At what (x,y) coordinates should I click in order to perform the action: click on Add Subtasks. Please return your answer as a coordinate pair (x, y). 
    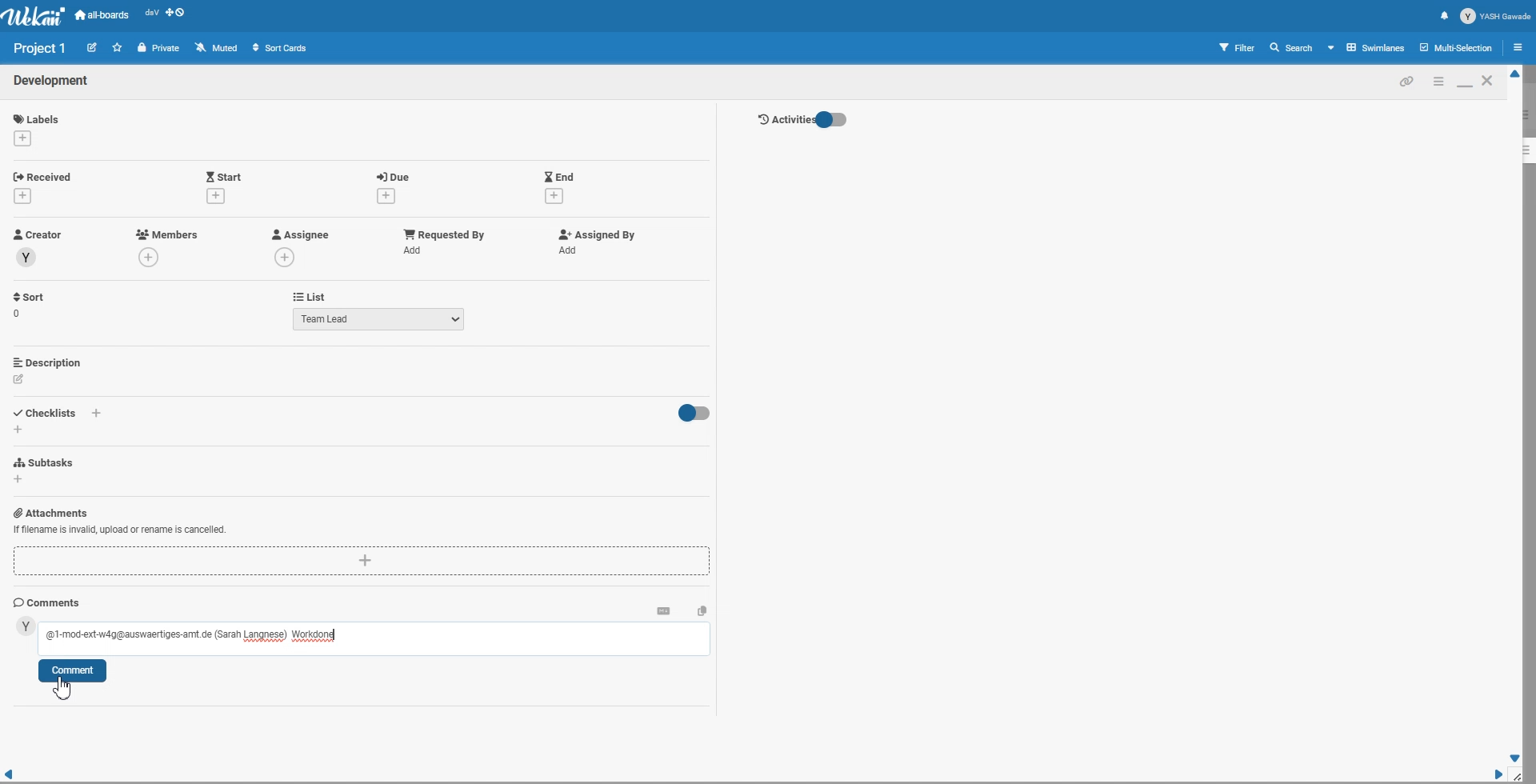
    Looking at the image, I should click on (46, 462).